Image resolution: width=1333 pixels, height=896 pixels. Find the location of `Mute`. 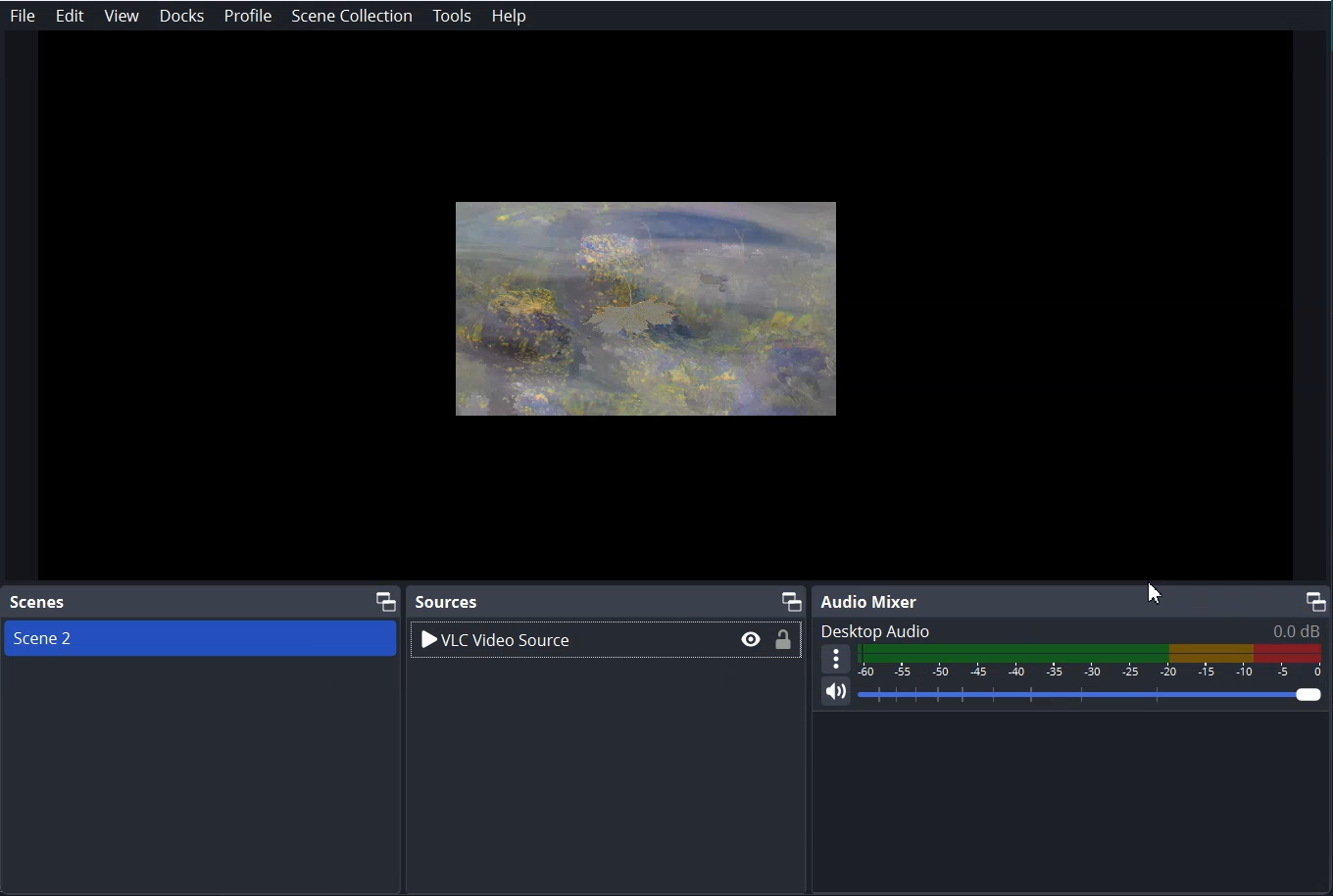

Mute is located at coordinates (836, 697).